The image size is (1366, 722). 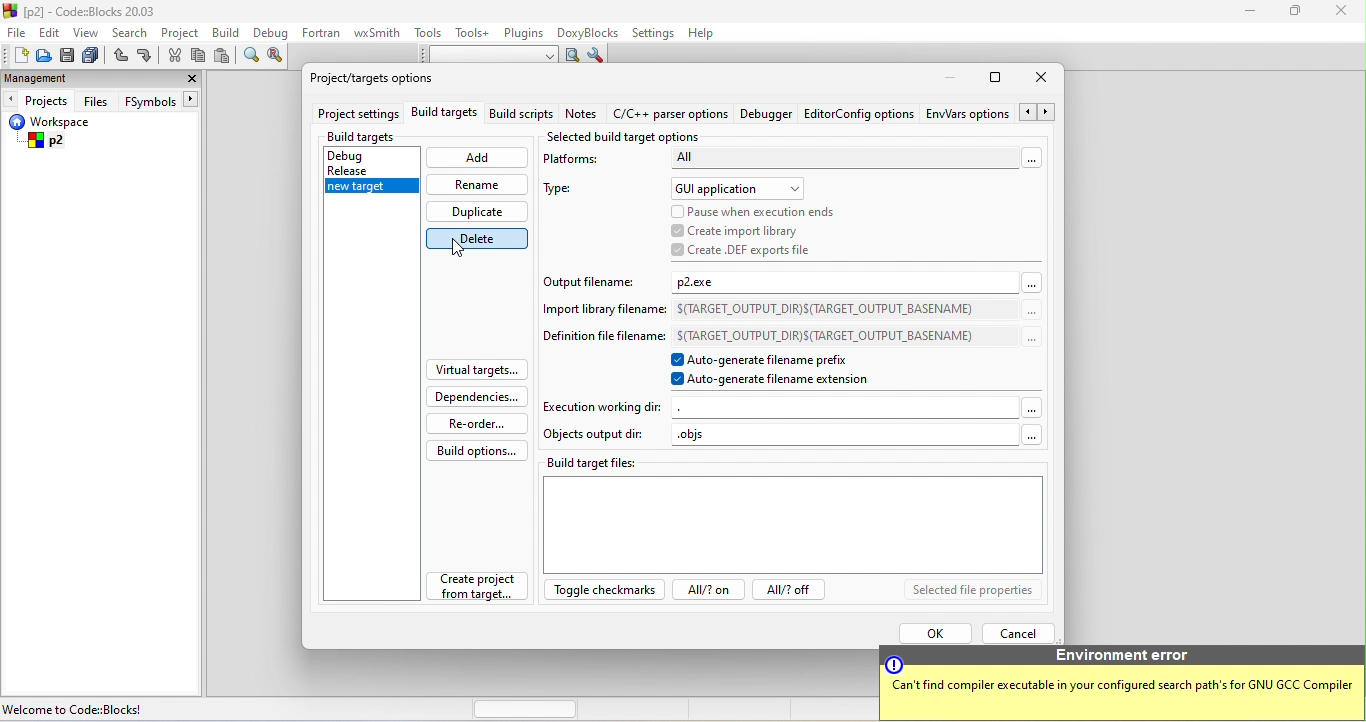 What do you see at coordinates (252, 58) in the screenshot?
I see `find` at bounding box center [252, 58].